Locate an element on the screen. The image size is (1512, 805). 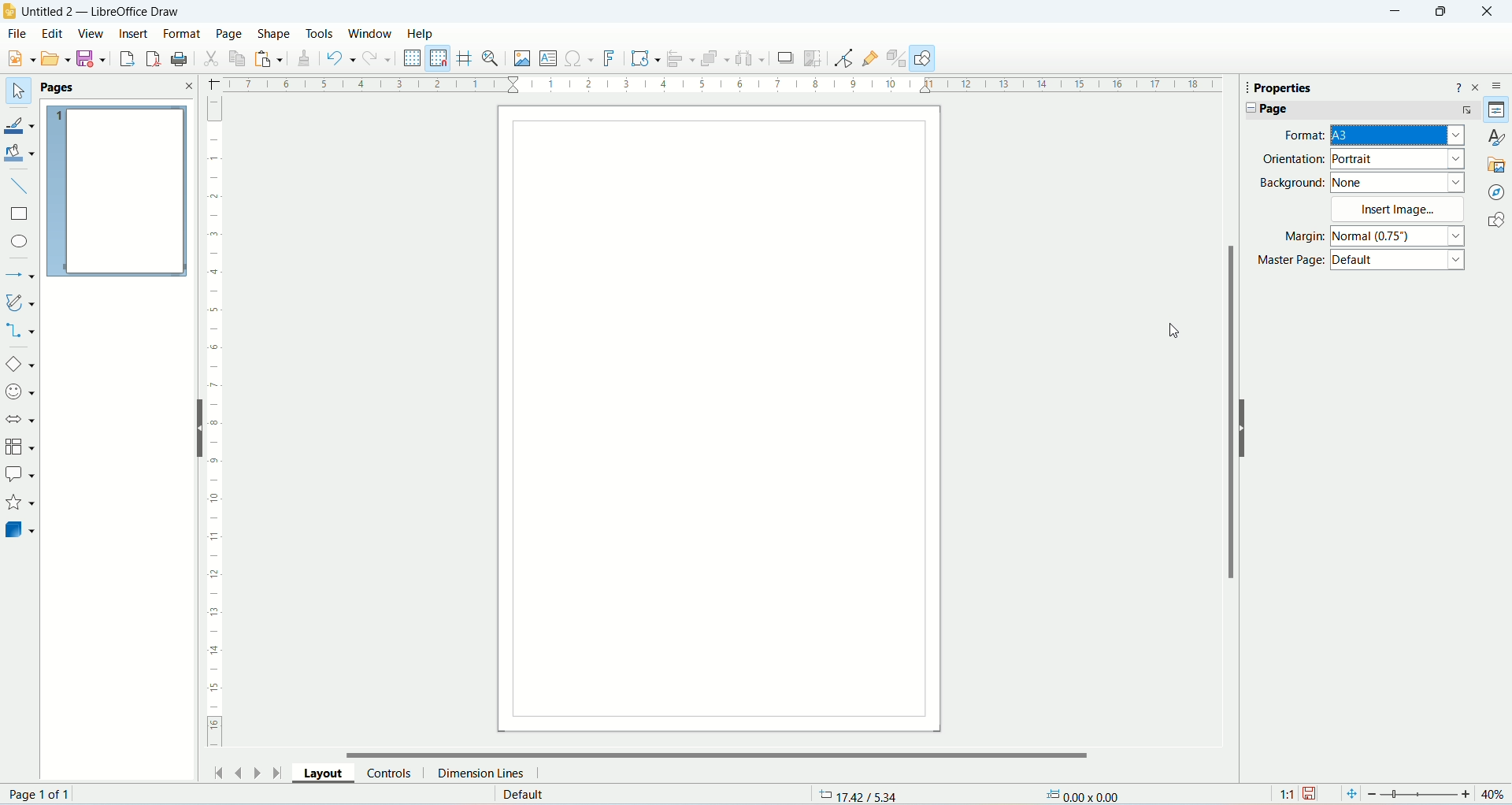
page is located at coordinates (1355, 111).